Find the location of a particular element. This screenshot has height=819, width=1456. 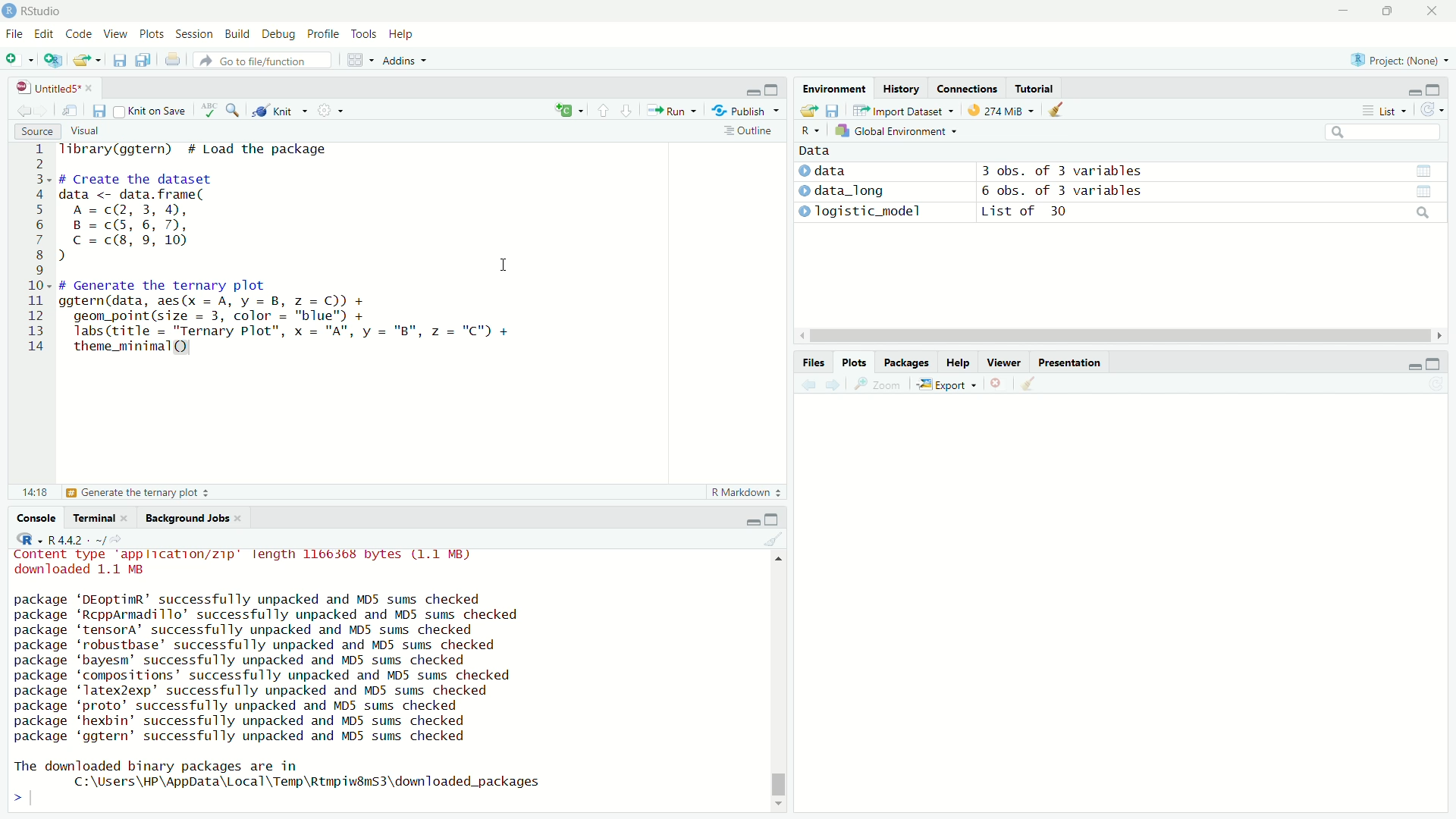

view is located at coordinates (72, 111).